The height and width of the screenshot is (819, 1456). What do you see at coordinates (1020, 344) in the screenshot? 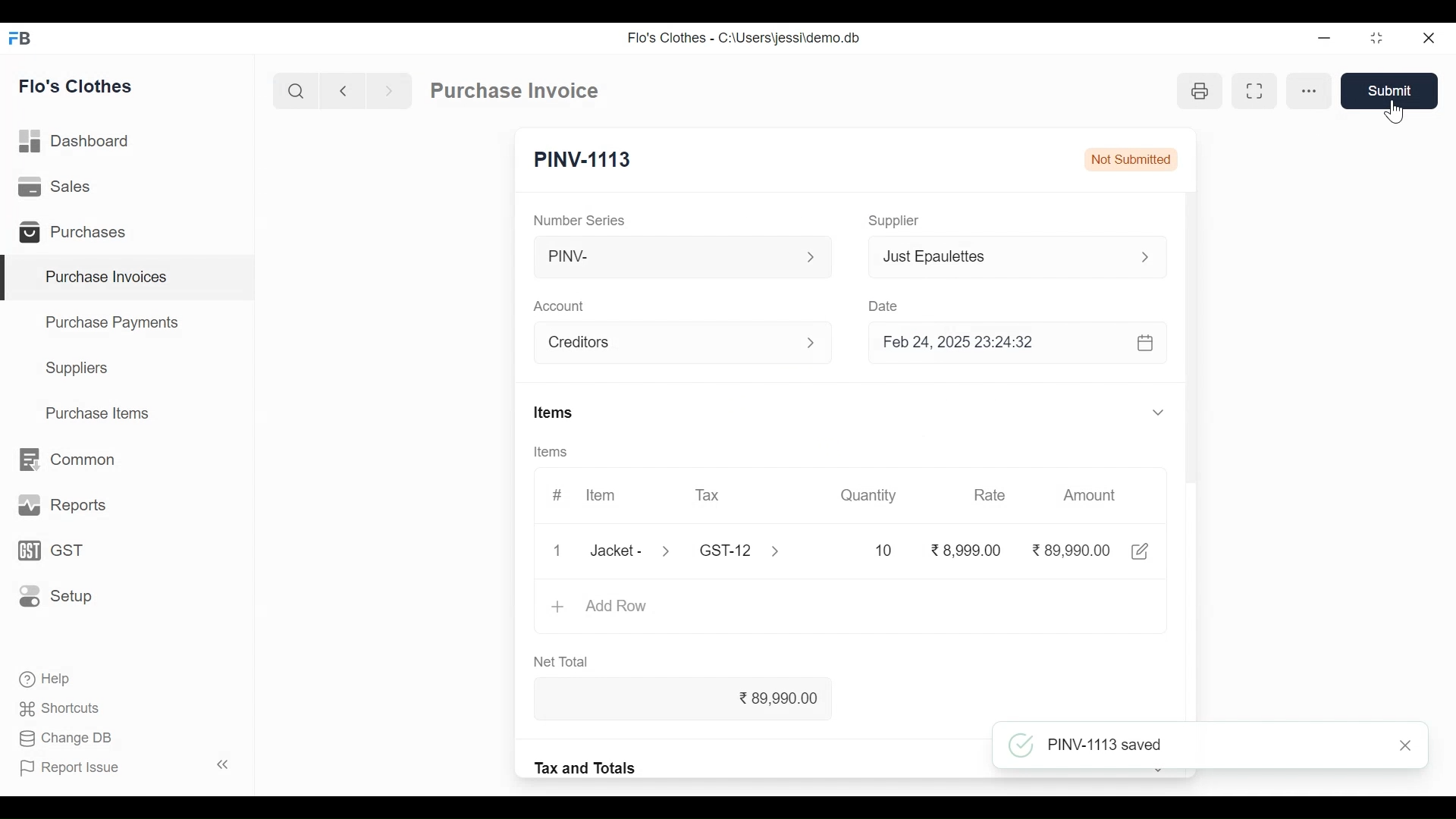
I see `Feb 24, 2025 23:24:32` at bounding box center [1020, 344].